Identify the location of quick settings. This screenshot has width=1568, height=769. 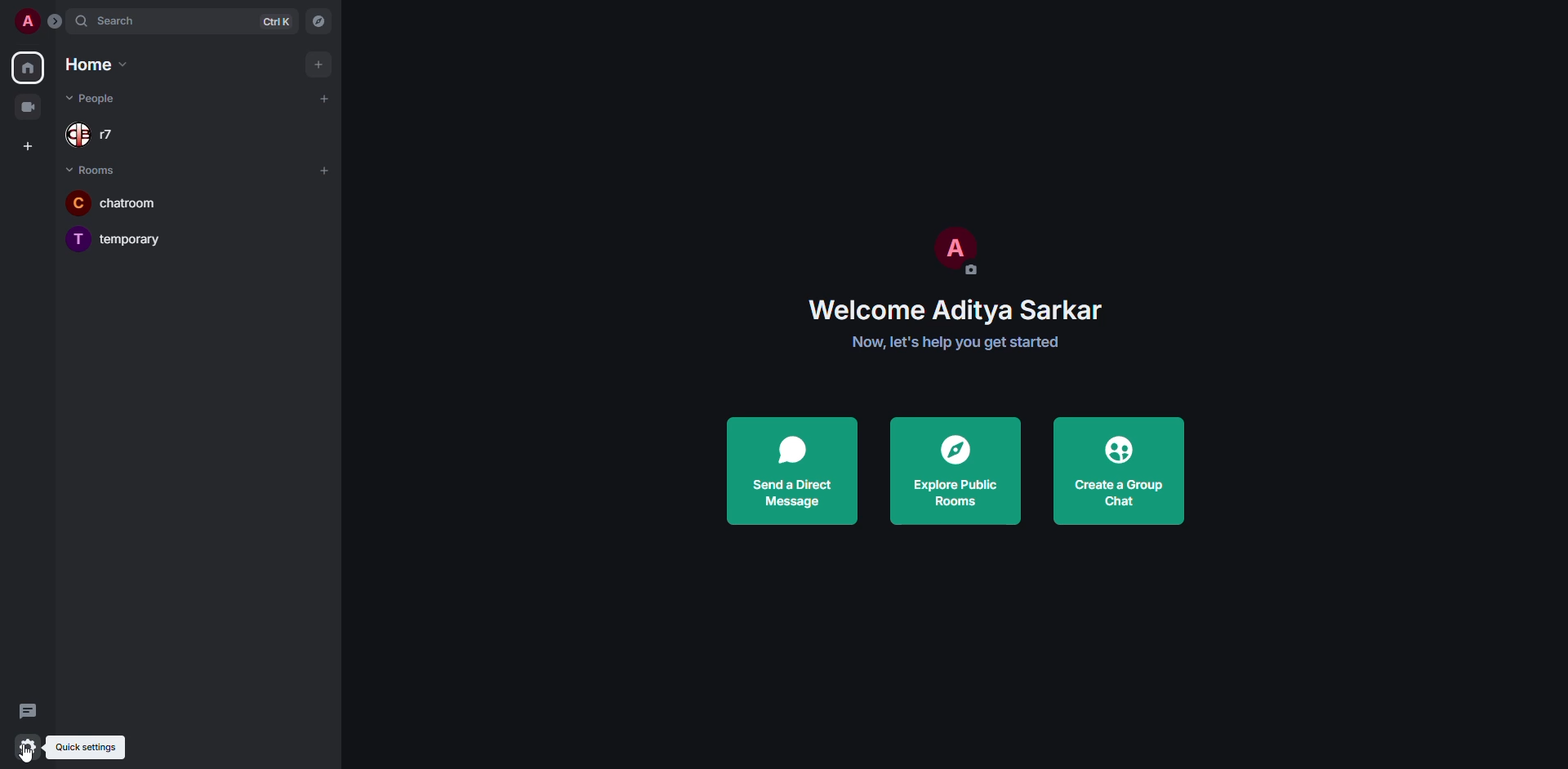
(28, 747).